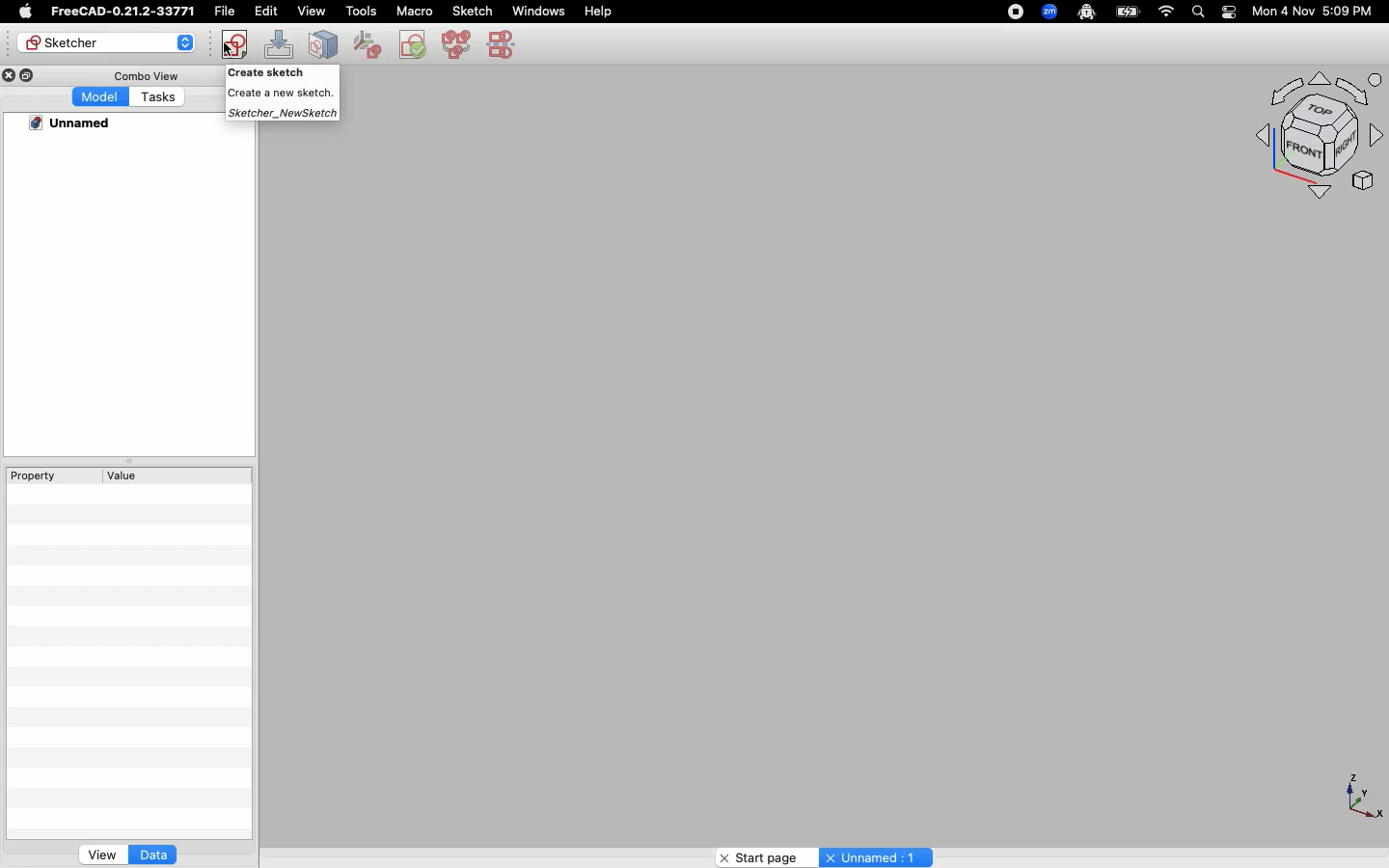 The image size is (1389, 868). I want to click on Zoom, so click(1050, 12).